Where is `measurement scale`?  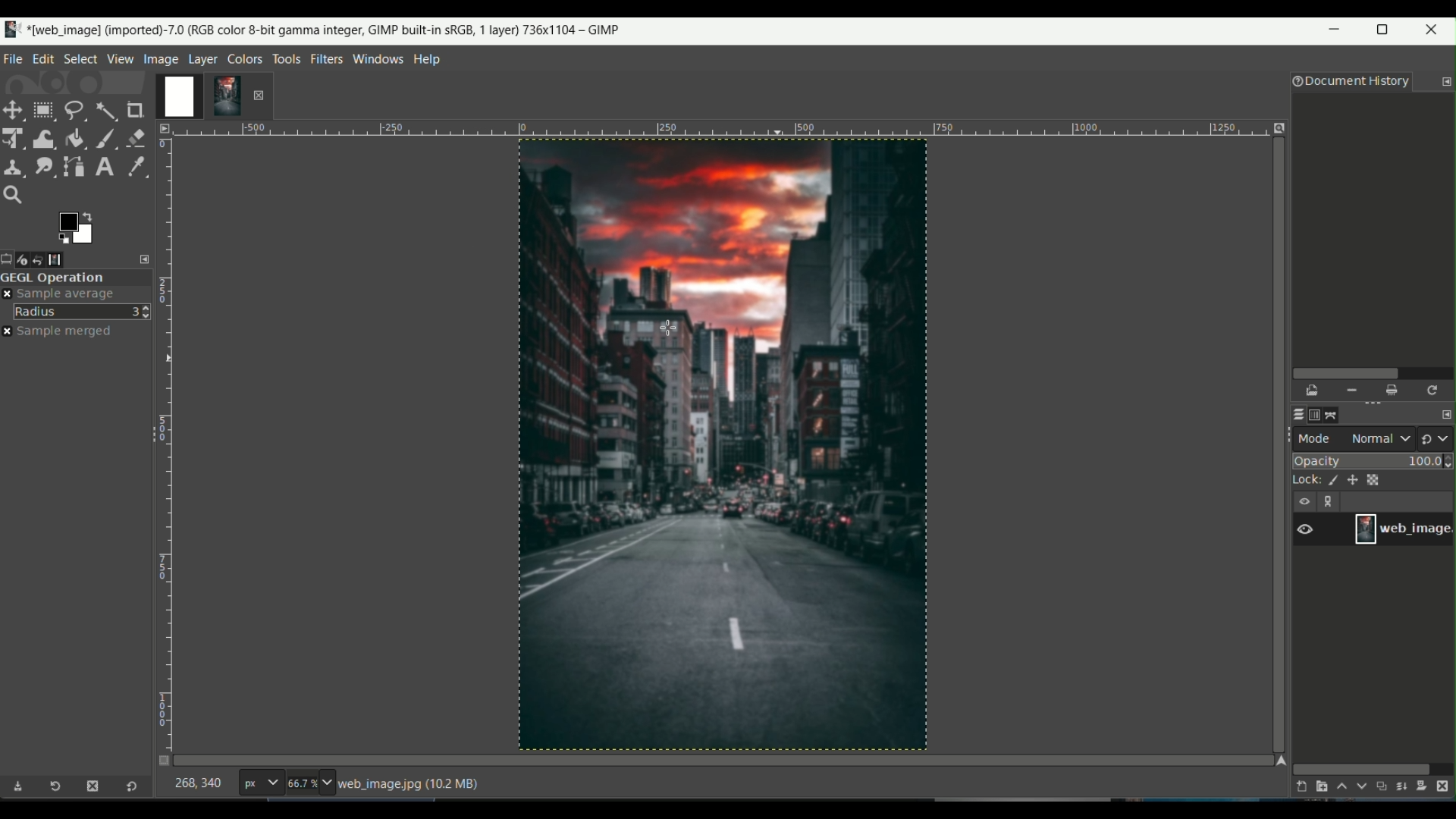 measurement scale is located at coordinates (260, 784).